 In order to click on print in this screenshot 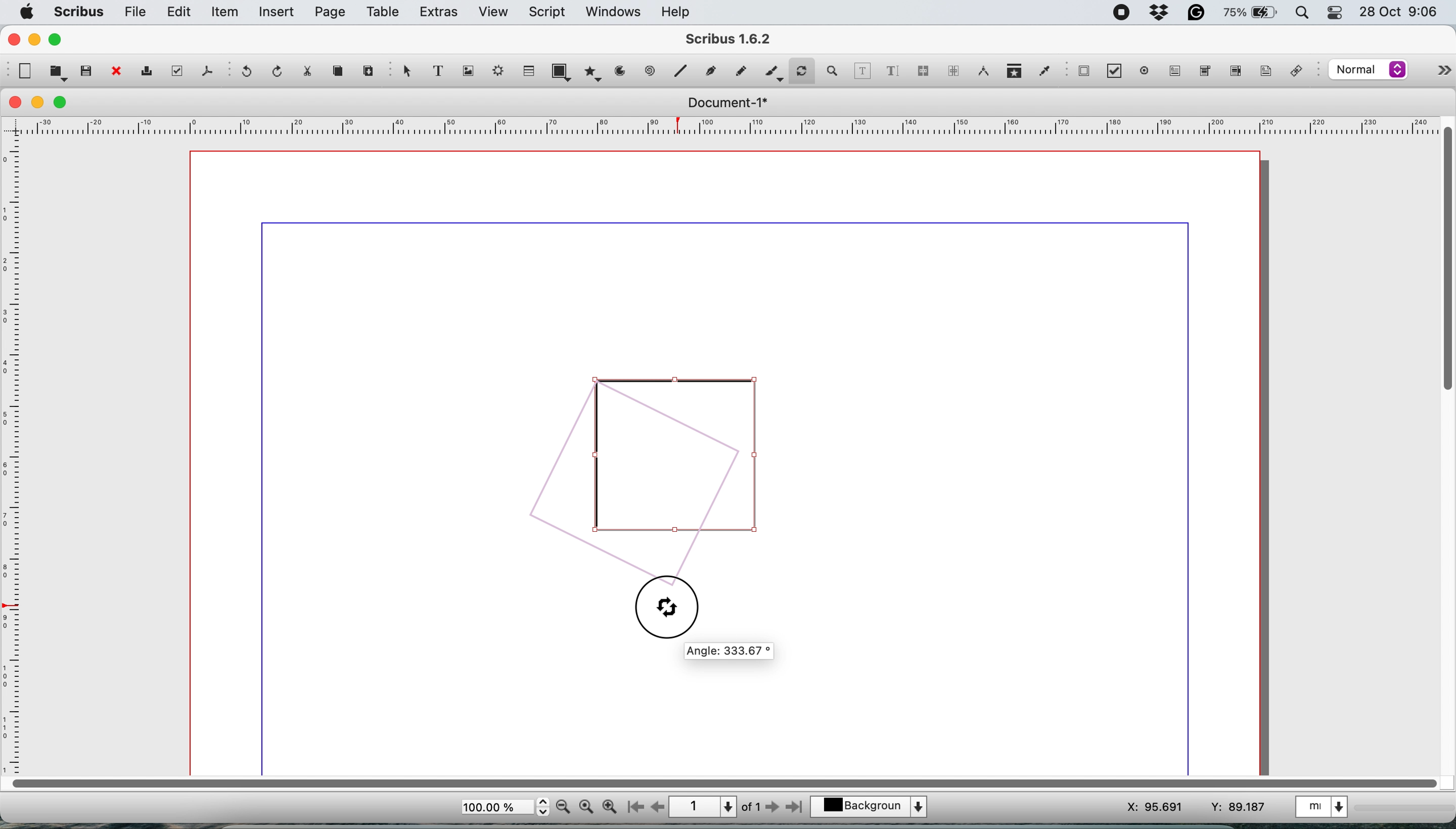, I will do `click(151, 72)`.